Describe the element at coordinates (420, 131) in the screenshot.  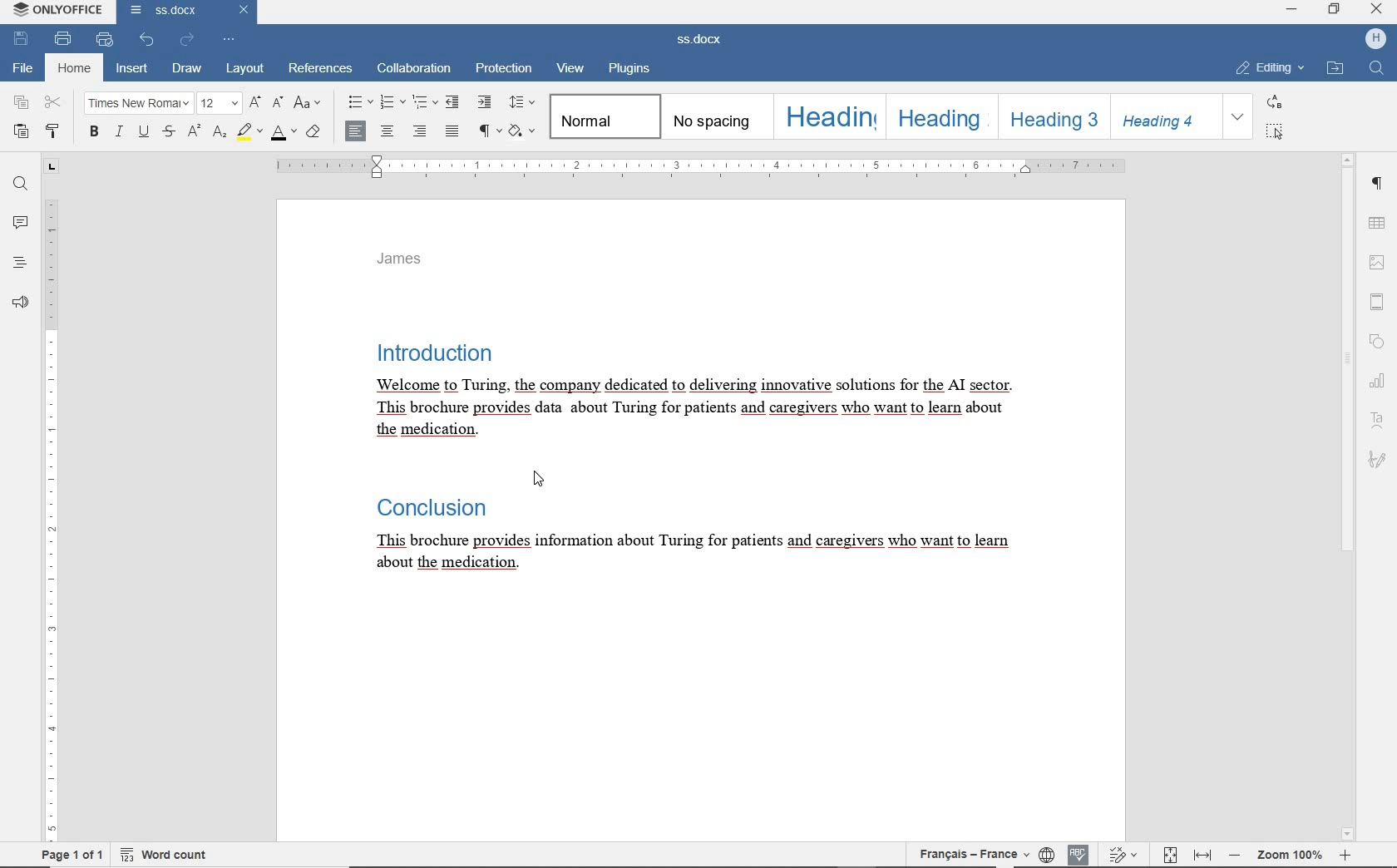
I see `ALIGN RIGHT` at that location.